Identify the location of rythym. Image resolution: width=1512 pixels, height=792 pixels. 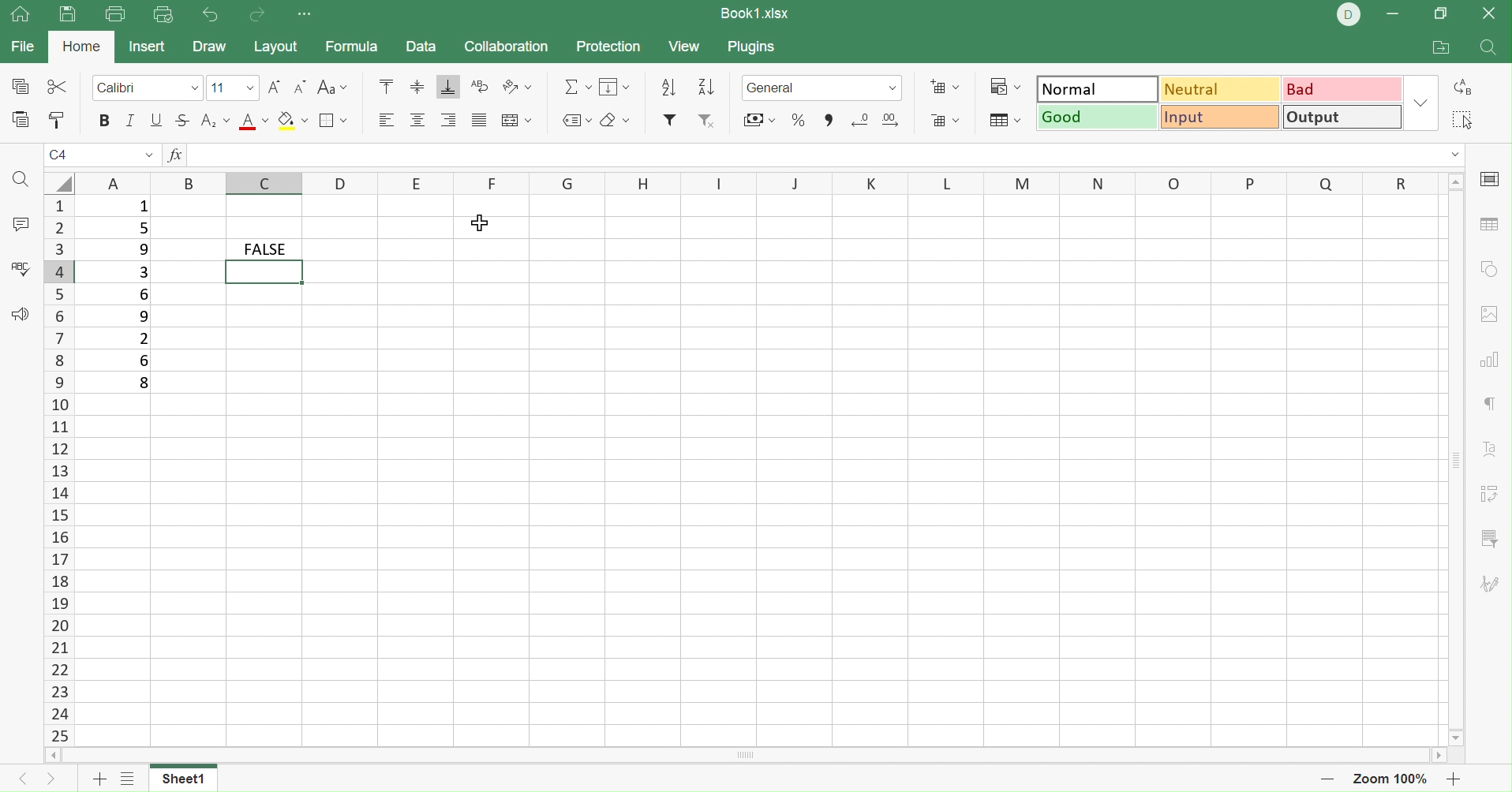
(1482, 406).